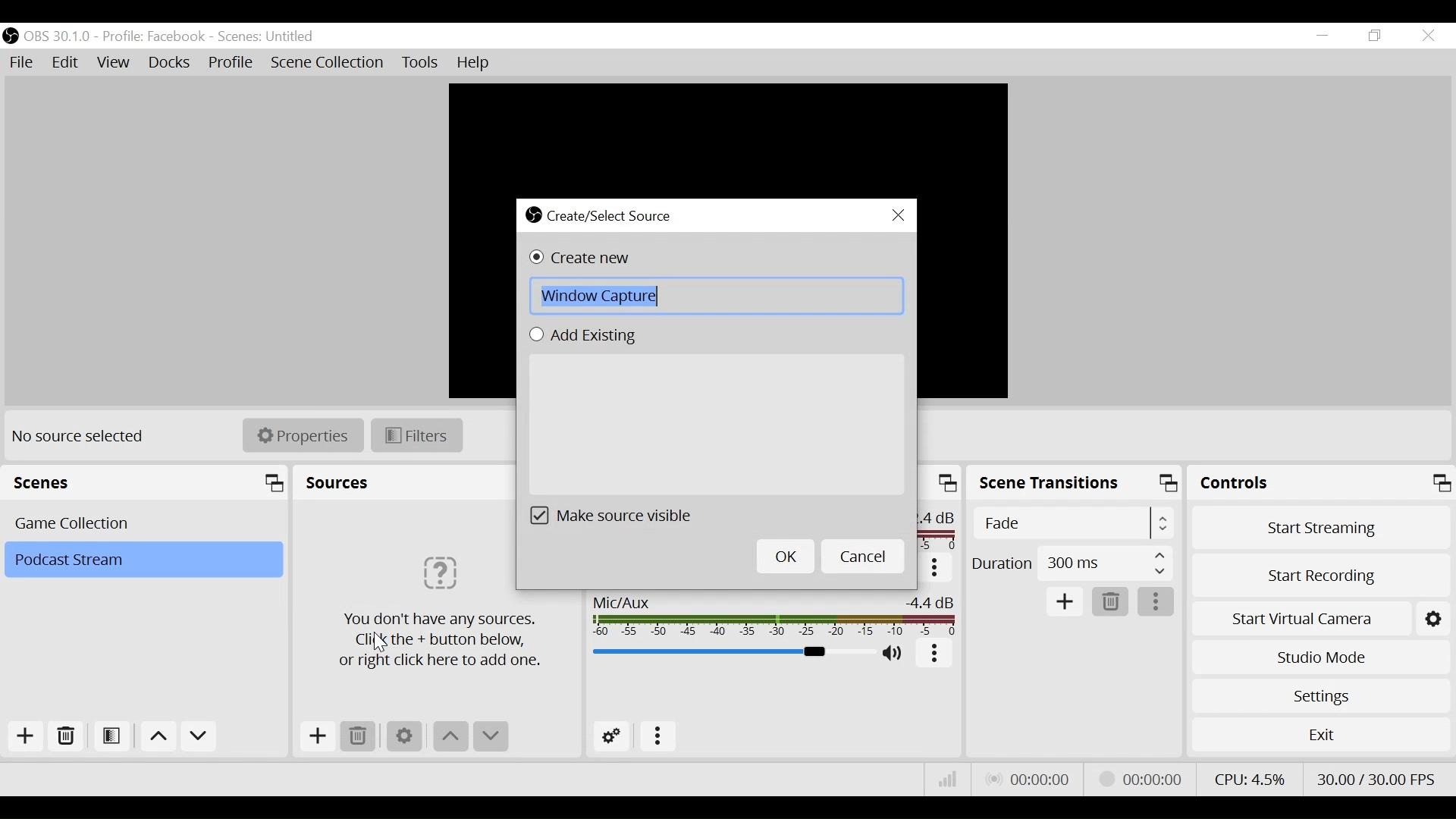  Describe the element at coordinates (303, 436) in the screenshot. I see `Properties` at that location.